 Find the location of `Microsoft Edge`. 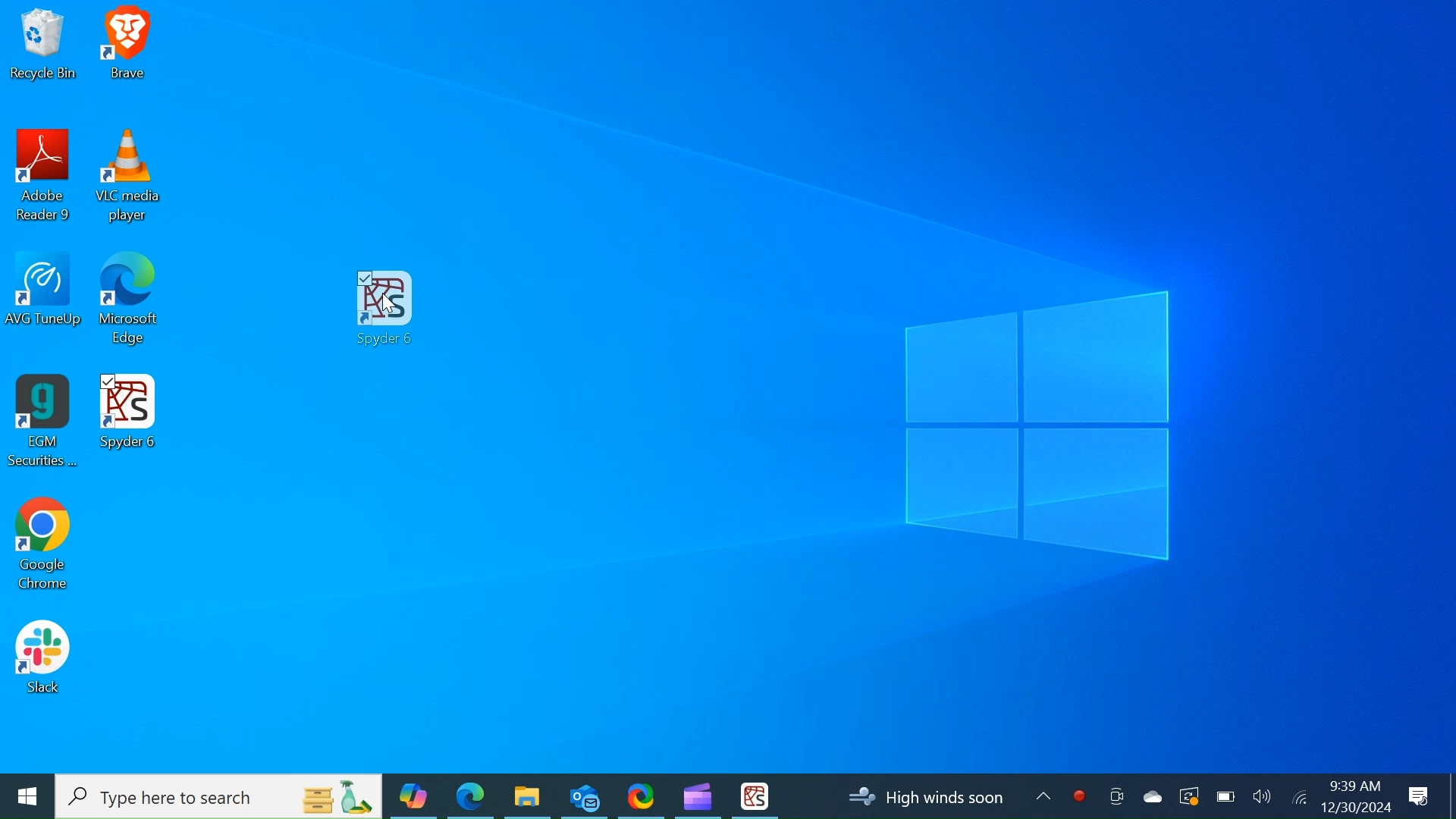

Microsoft Edge is located at coordinates (470, 795).